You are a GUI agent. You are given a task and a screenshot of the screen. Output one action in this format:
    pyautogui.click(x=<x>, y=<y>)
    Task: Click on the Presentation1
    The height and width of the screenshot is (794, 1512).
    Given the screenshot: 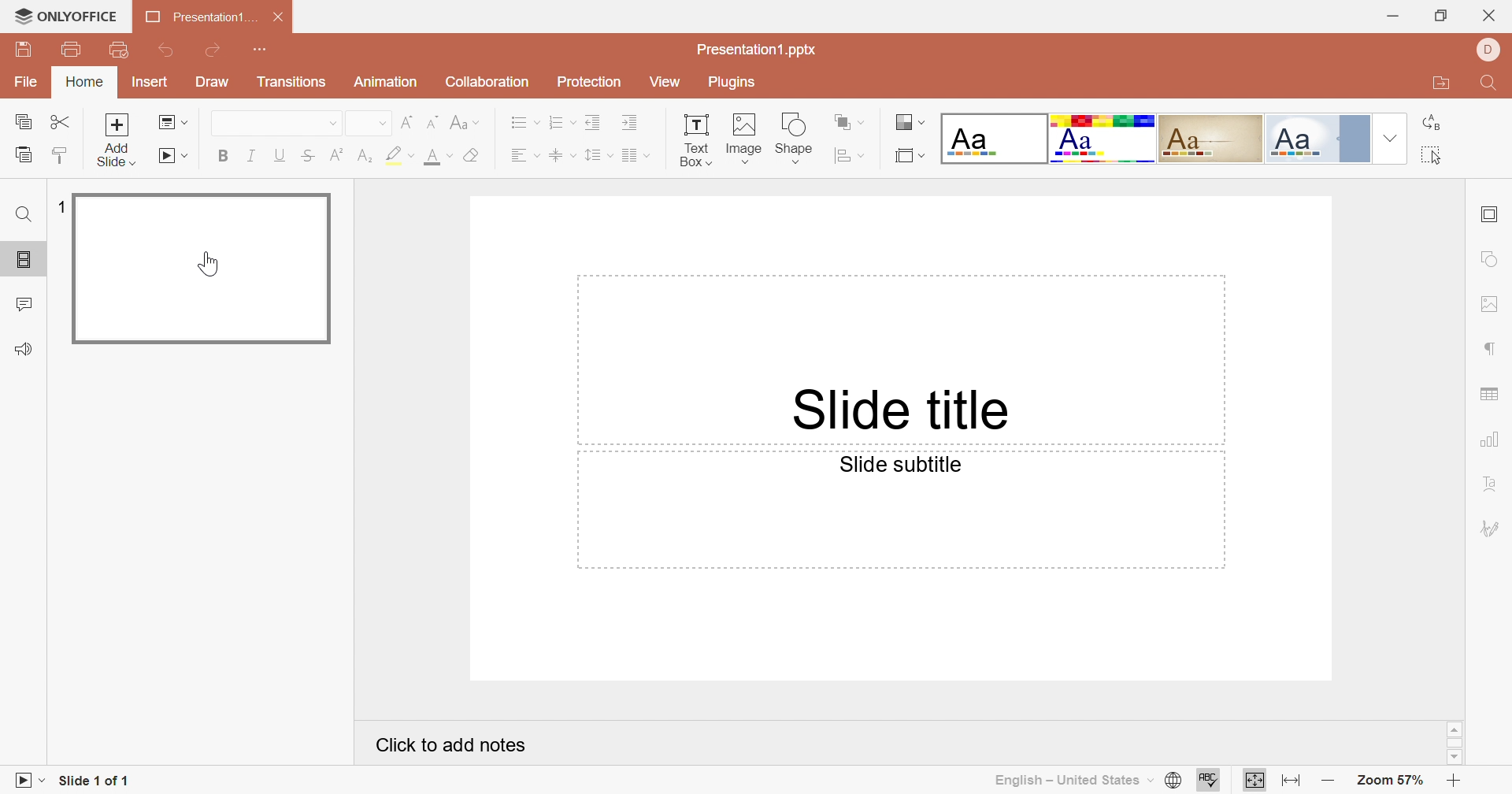 What is the action you would take?
    pyautogui.click(x=195, y=15)
    